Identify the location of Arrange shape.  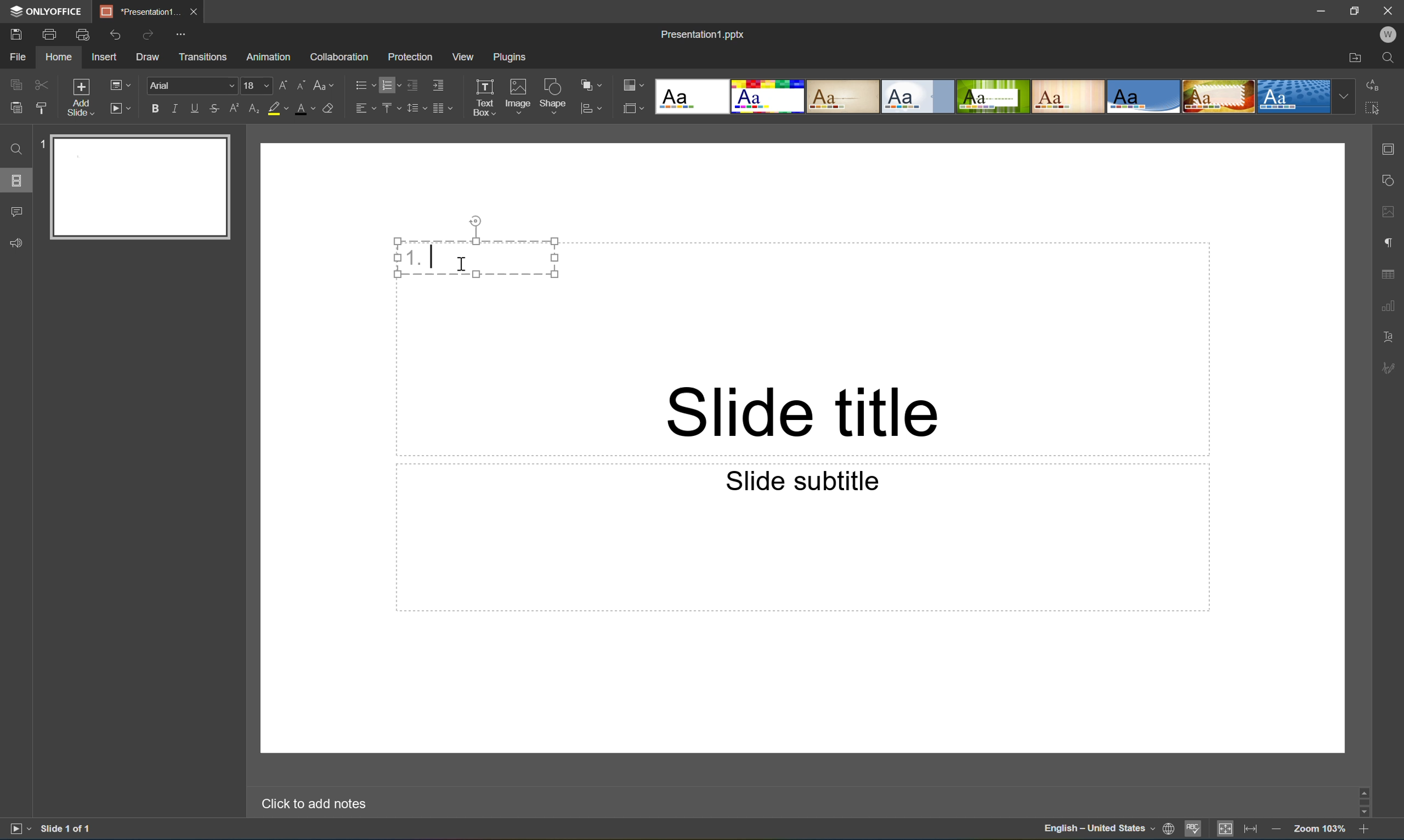
(591, 82).